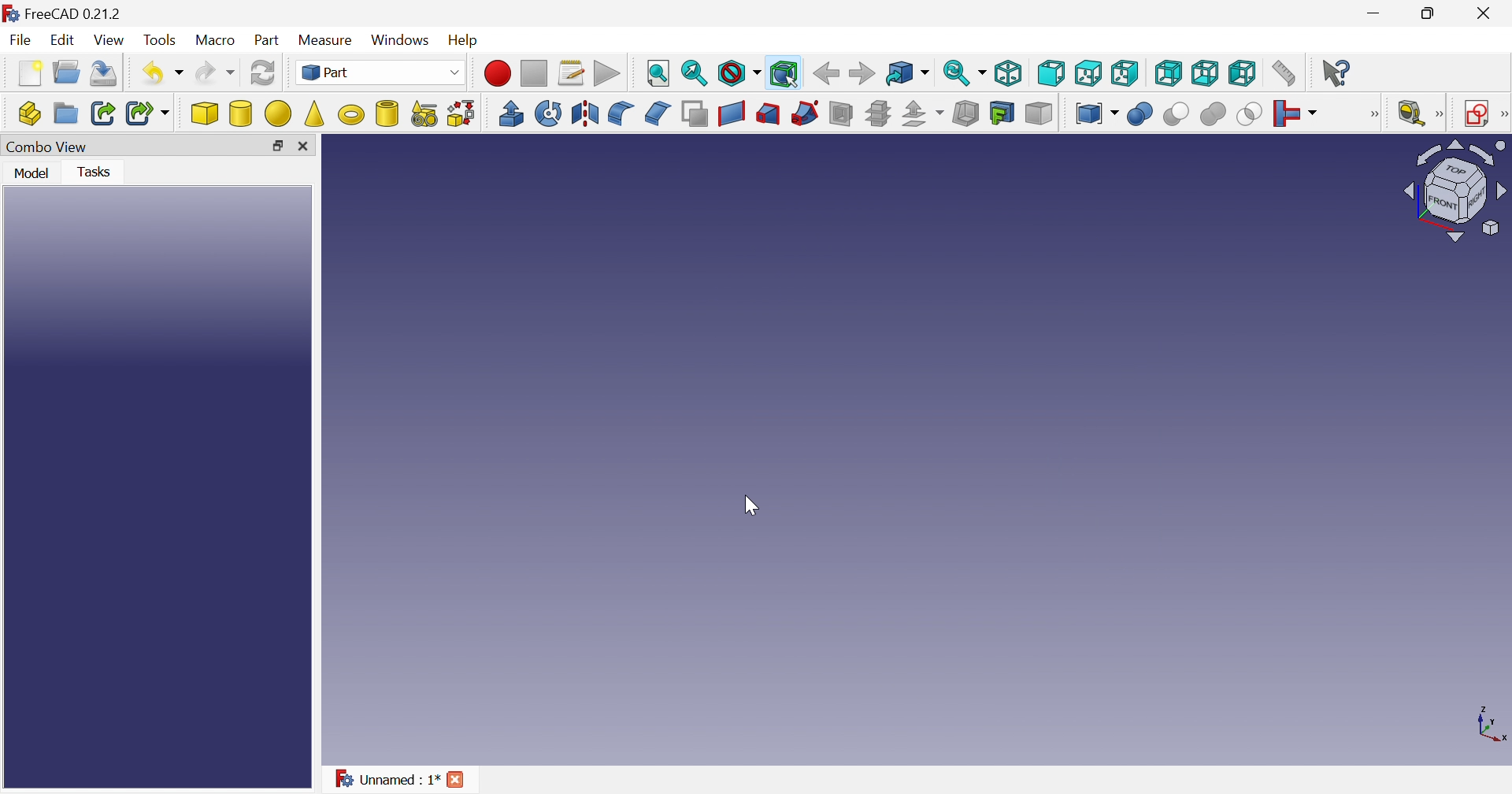 This screenshot has height=794, width=1512. What do you see at coordinates (1011, 72) in the screenshot?
I see `Isometric` at bounding box center [1011, 72].